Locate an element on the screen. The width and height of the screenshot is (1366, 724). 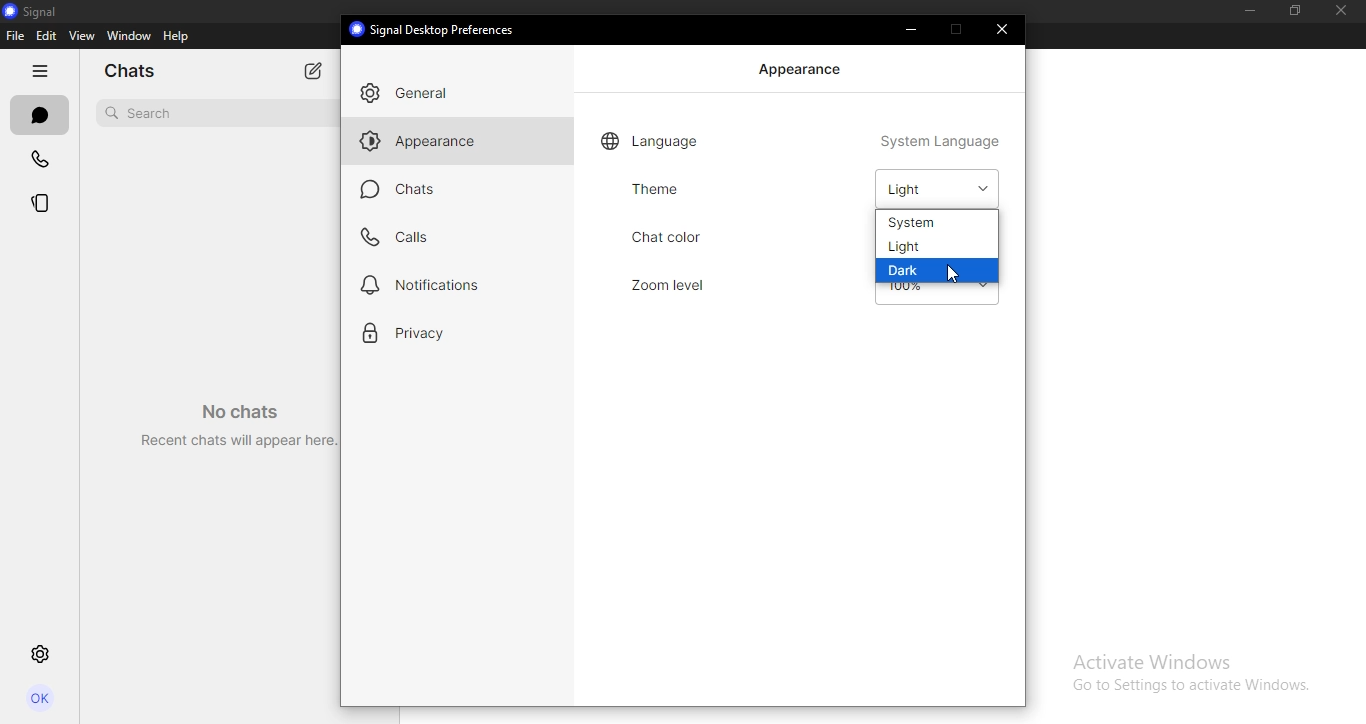
chats is located at coordinates (137, 72).